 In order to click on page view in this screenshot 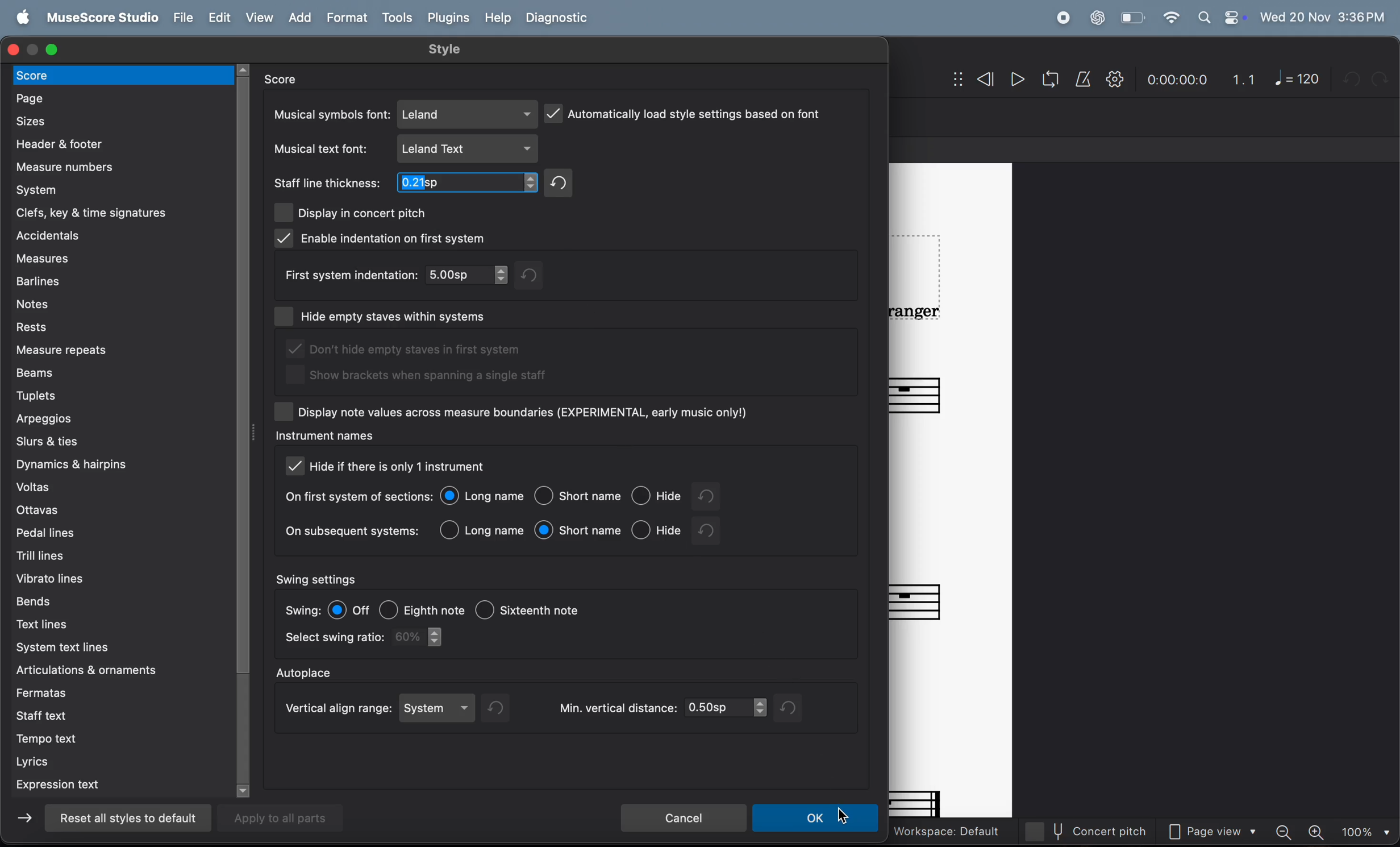, I will do `click(1216, 833)`.